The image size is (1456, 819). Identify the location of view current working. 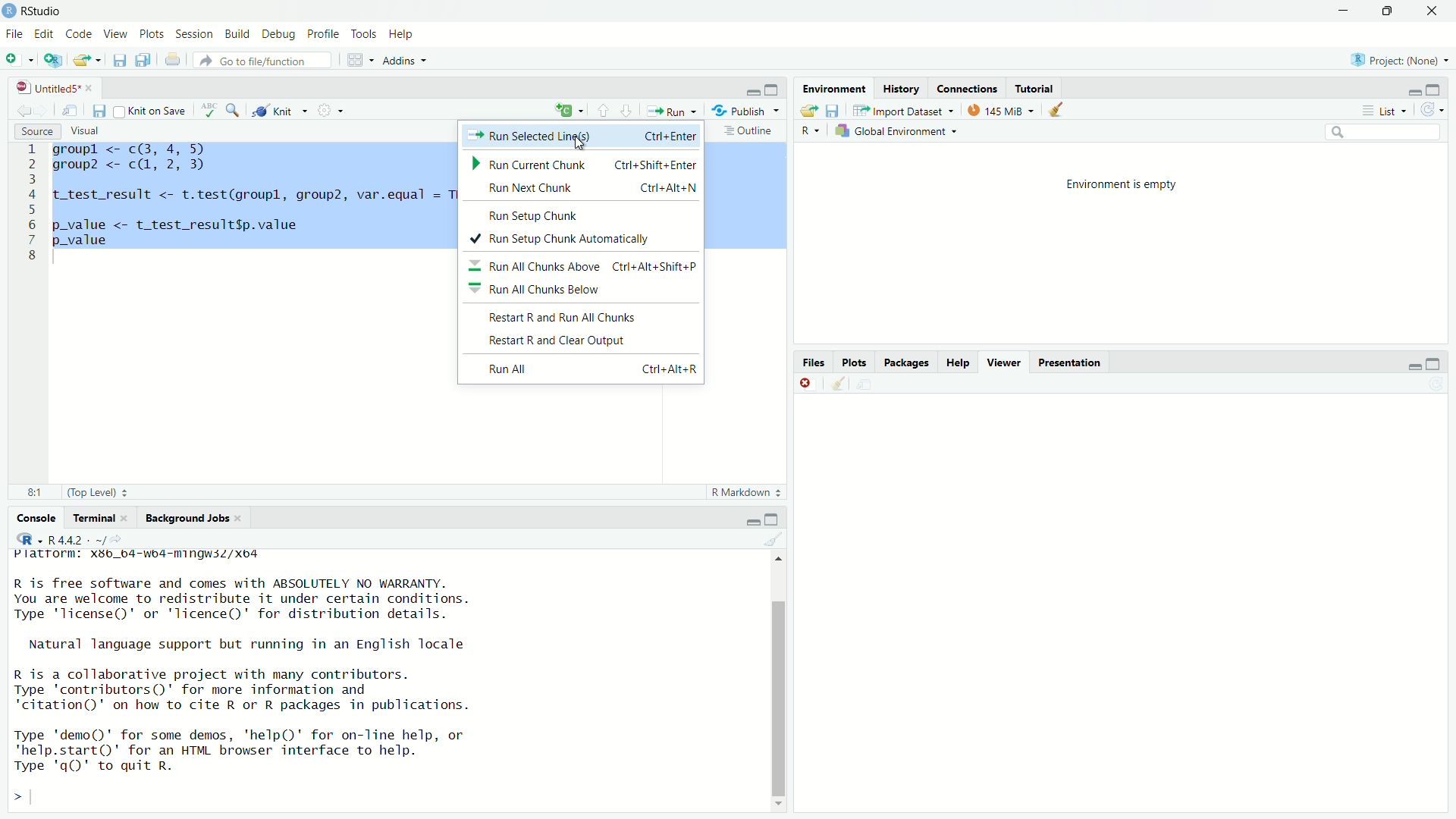
(120, 539).